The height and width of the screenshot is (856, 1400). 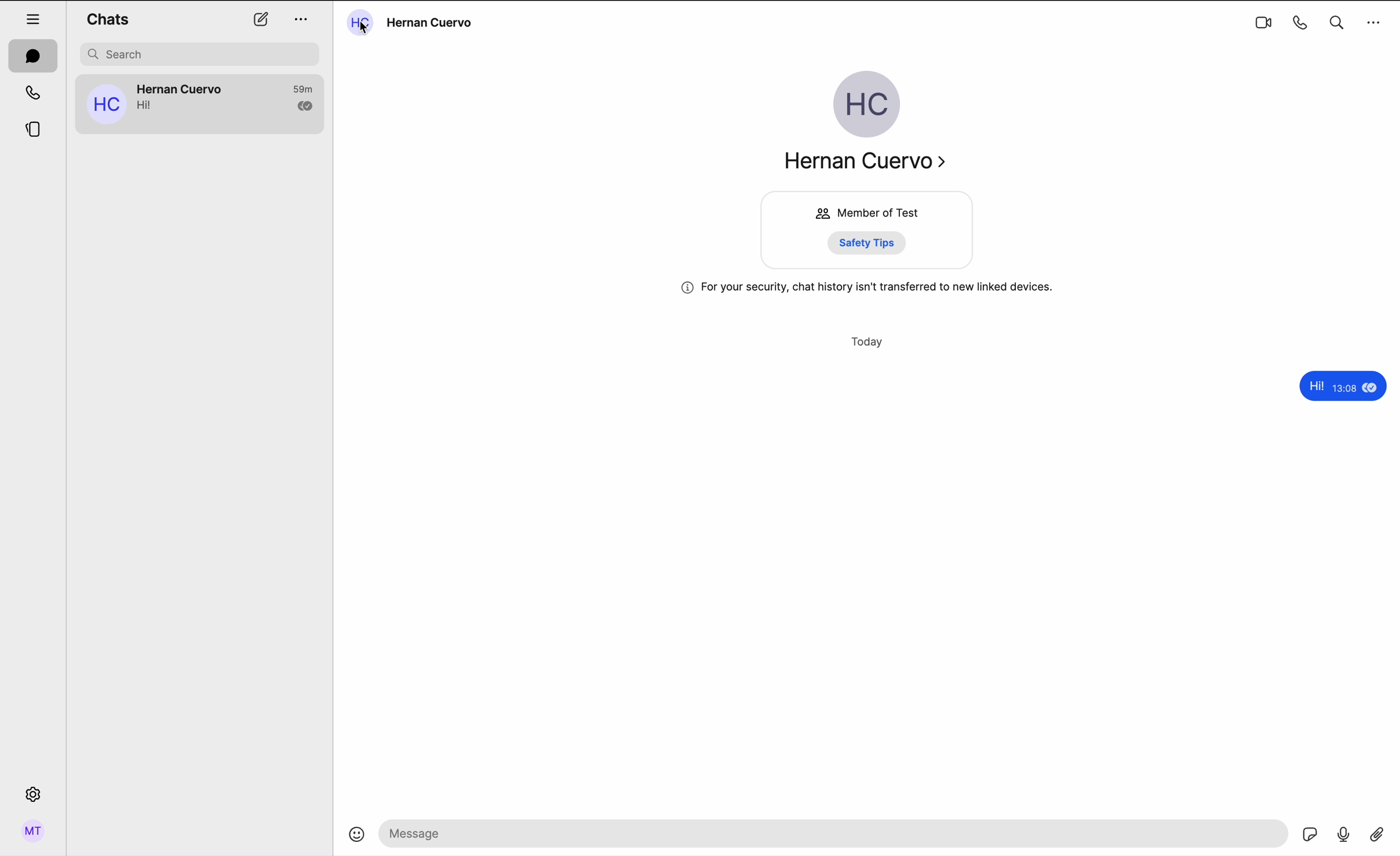 What do you see at coordinates (34, 19) in the screenshot?
I see `hide tab` at bounding box center [34, 19].